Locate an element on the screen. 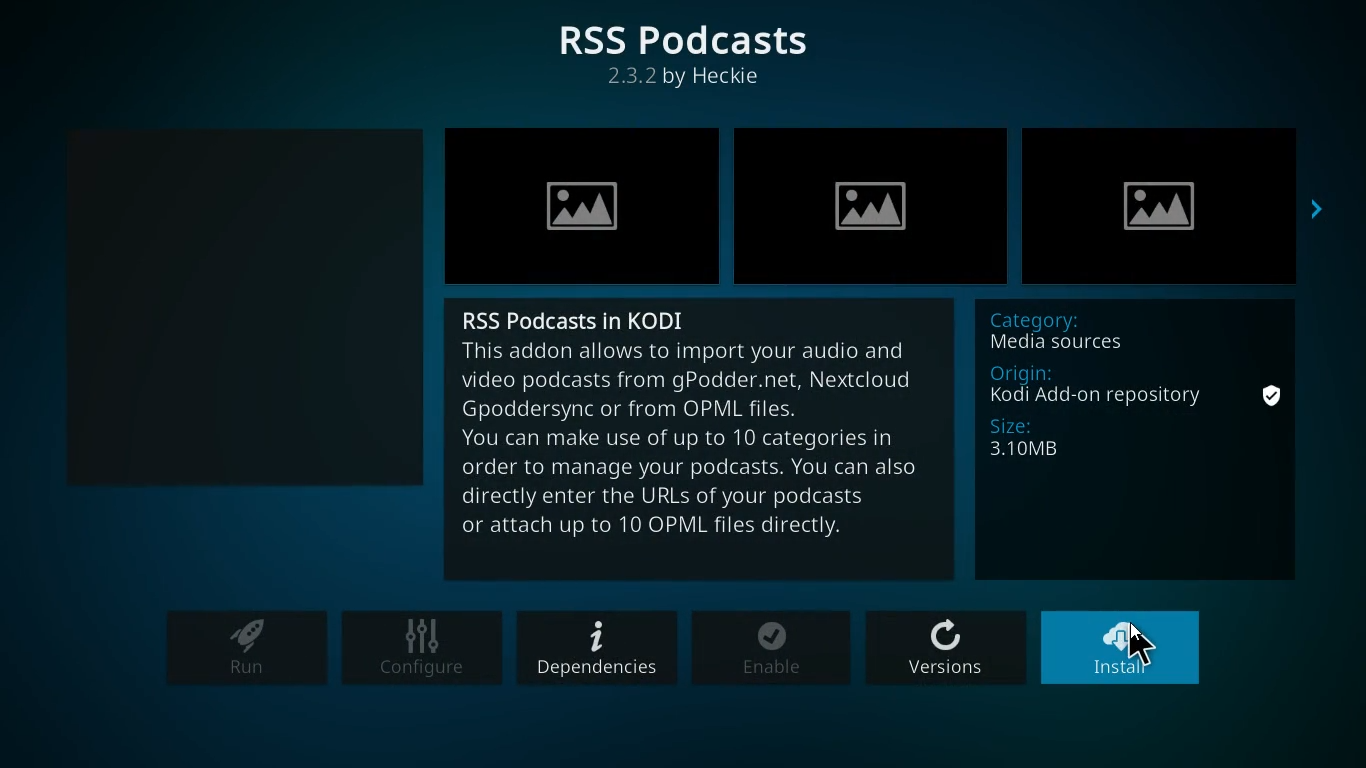 This screenshot has height=768, width=1366. versions is located at coordinates (948, 649).